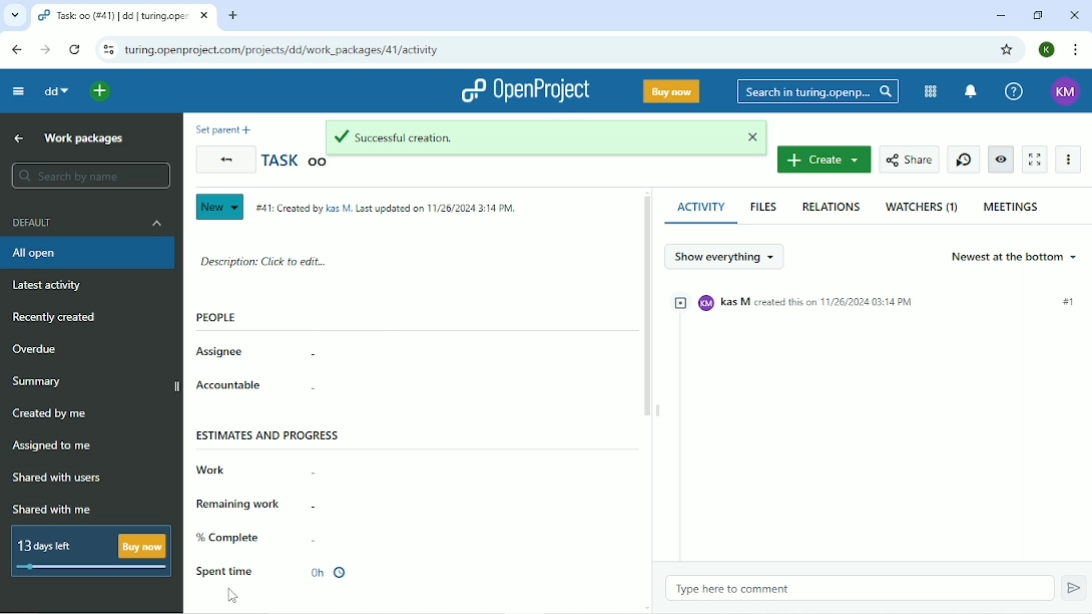  I want to click on Assigned to me, so click(52, 446).